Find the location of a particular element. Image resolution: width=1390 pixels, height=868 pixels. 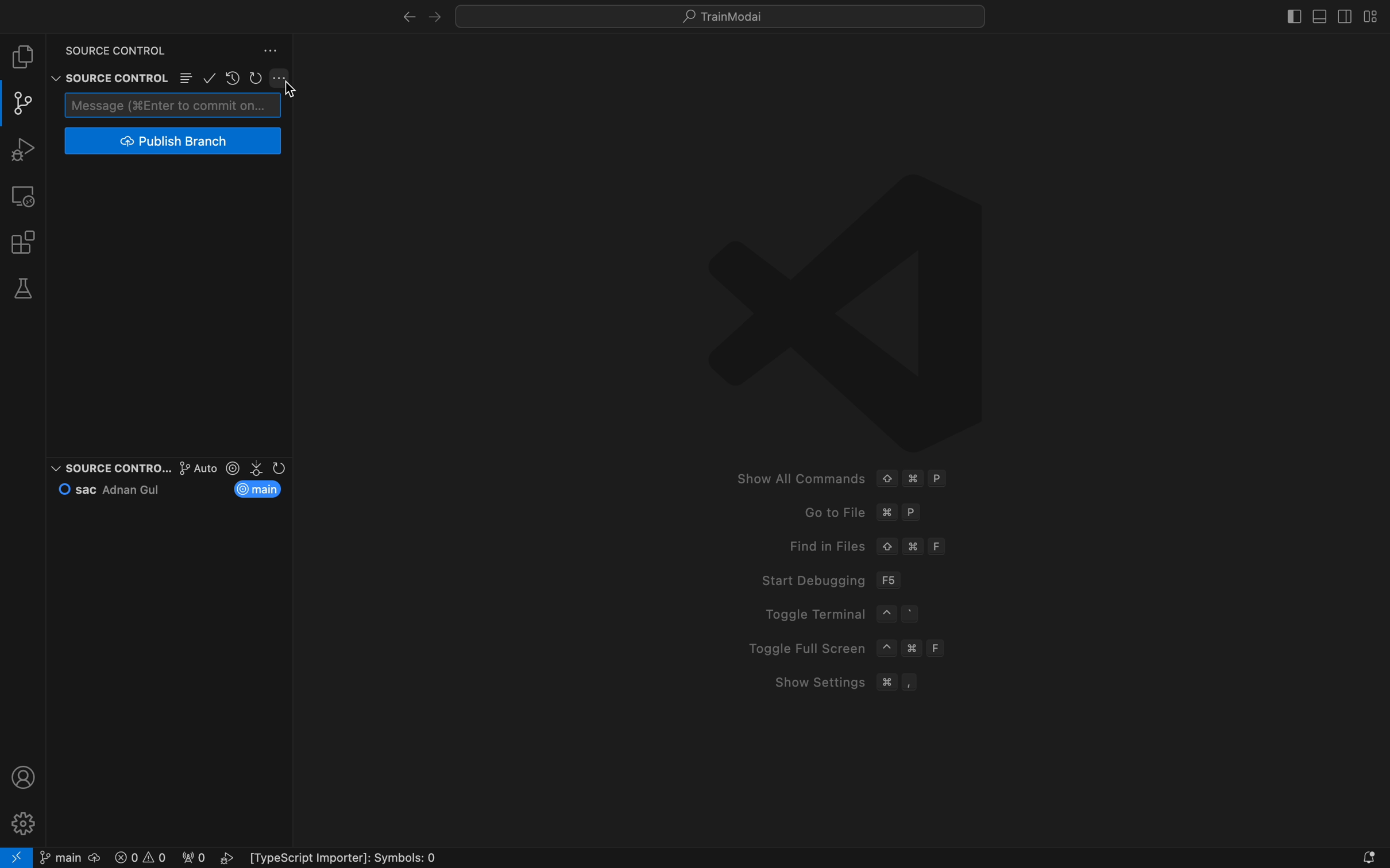

Notifications  is located at coordinates (1361, 858).